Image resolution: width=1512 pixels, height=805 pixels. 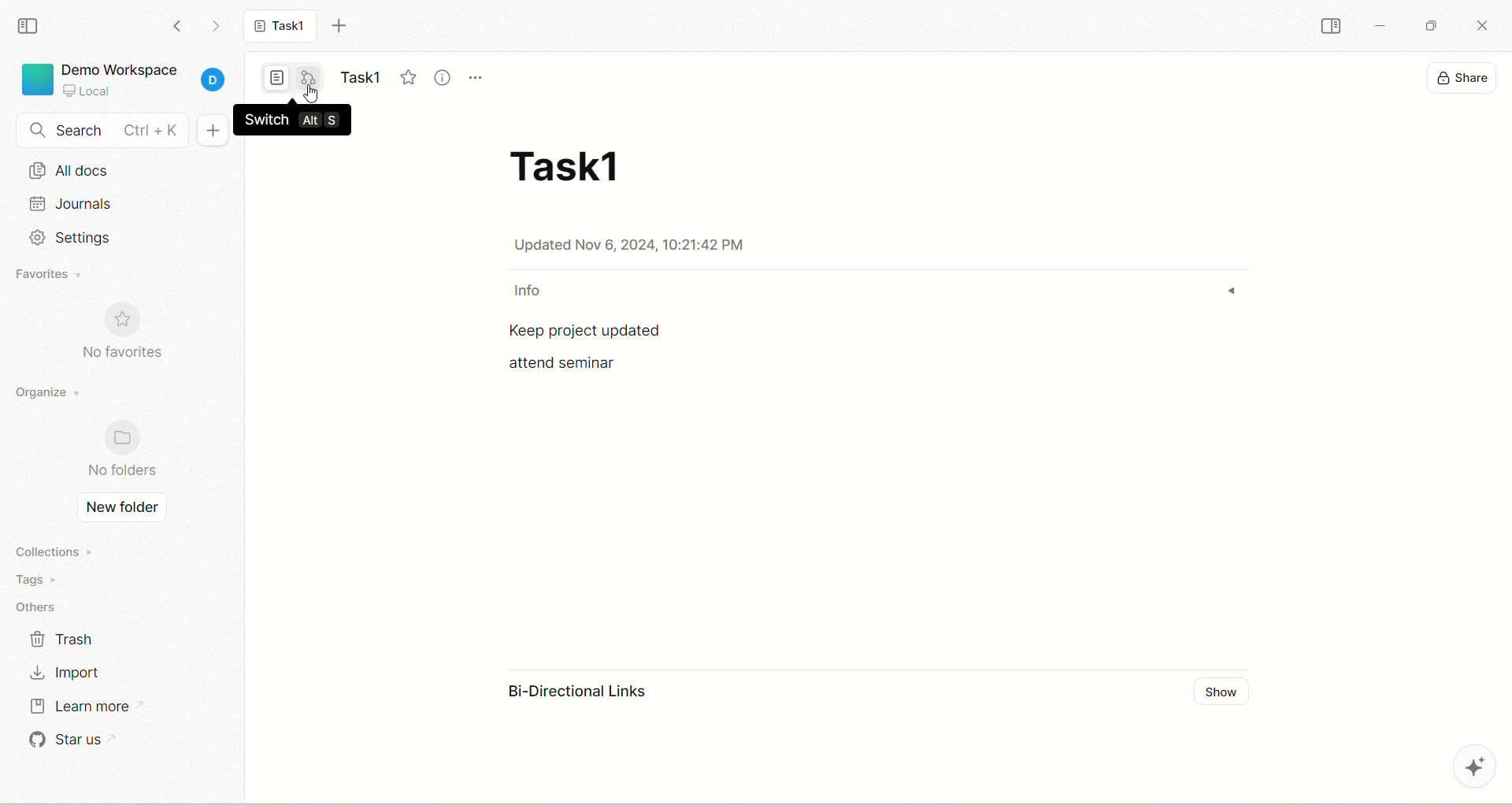 What do you see at coordinates (124, 76) in the screenshot?
I see `project - Demo Workspace` at bounding box center [124, 76].